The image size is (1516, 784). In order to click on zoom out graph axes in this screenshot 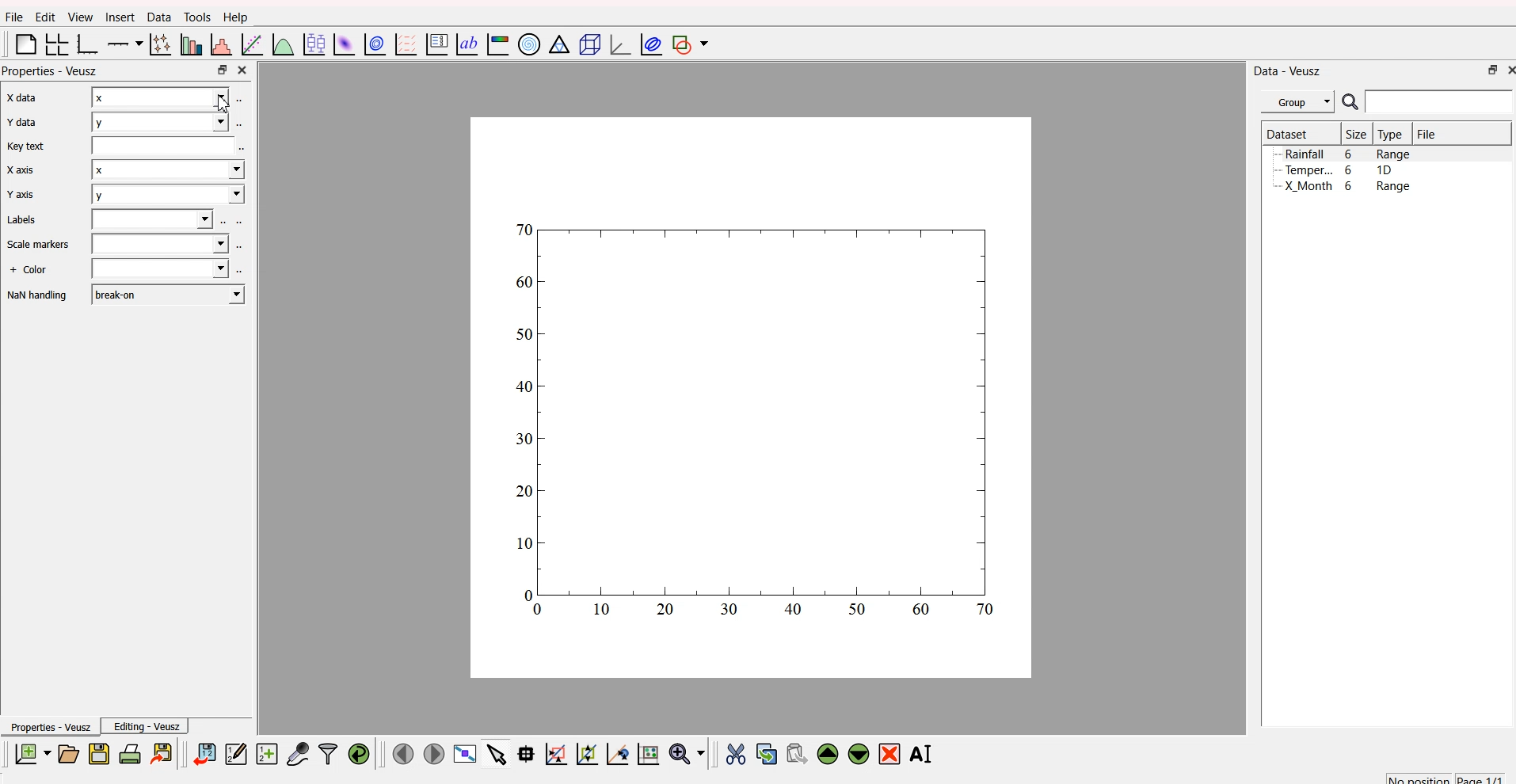, I will do `click(616, 754)`.